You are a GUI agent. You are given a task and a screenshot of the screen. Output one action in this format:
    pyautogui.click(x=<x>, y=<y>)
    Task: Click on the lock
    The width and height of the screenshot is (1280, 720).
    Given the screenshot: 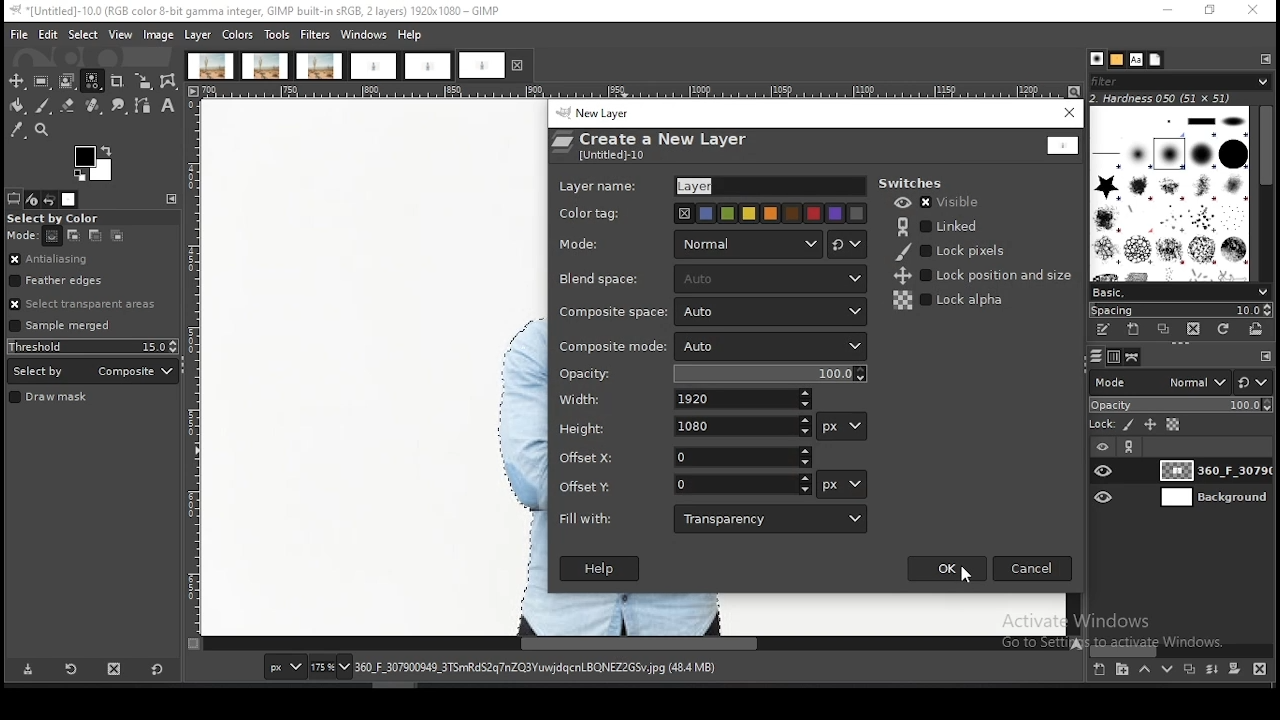 What is the action you would take?
    pyautogui.click(x=1100, y=425)
    